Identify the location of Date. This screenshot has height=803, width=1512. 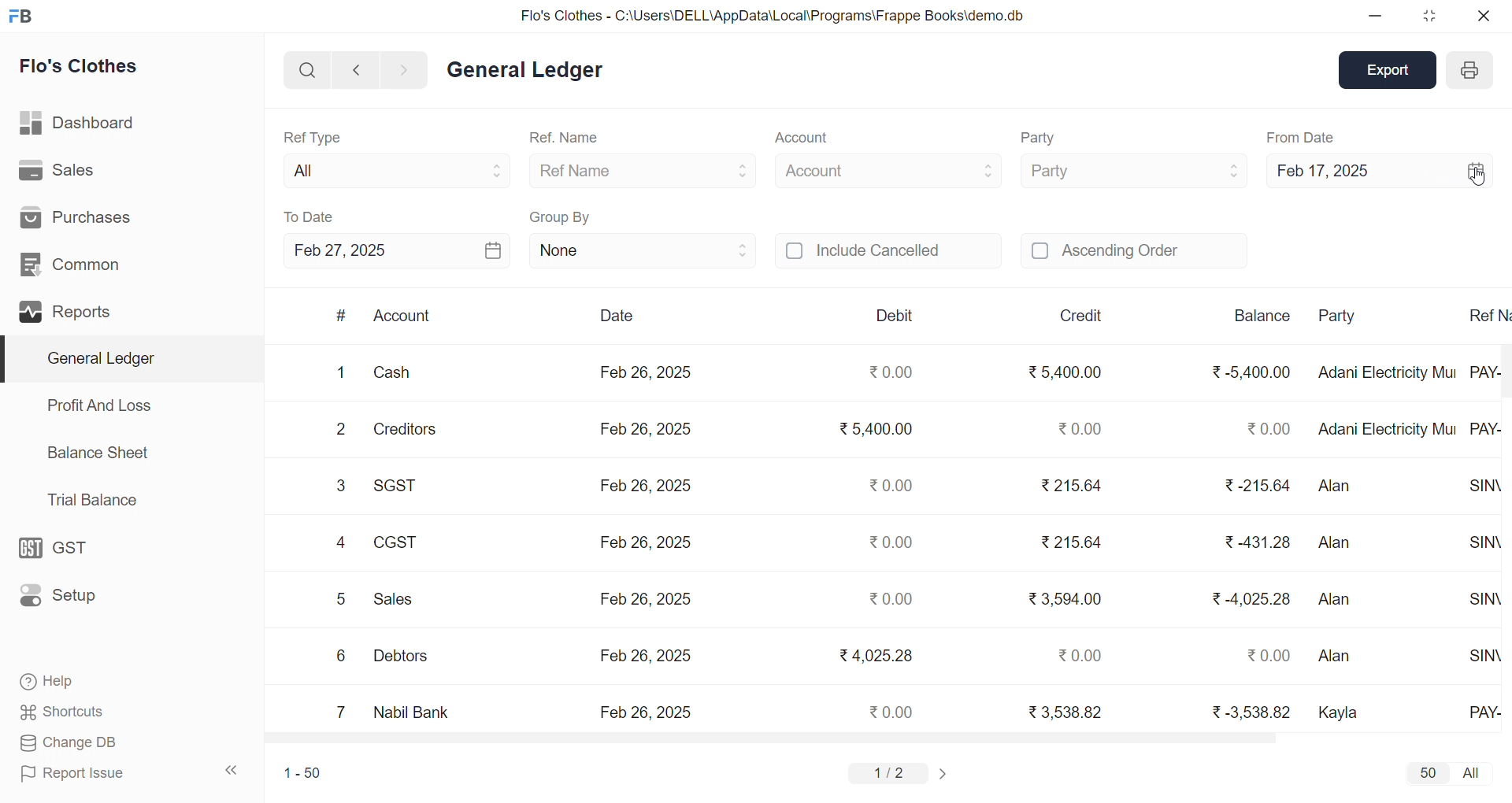
(616, 316).